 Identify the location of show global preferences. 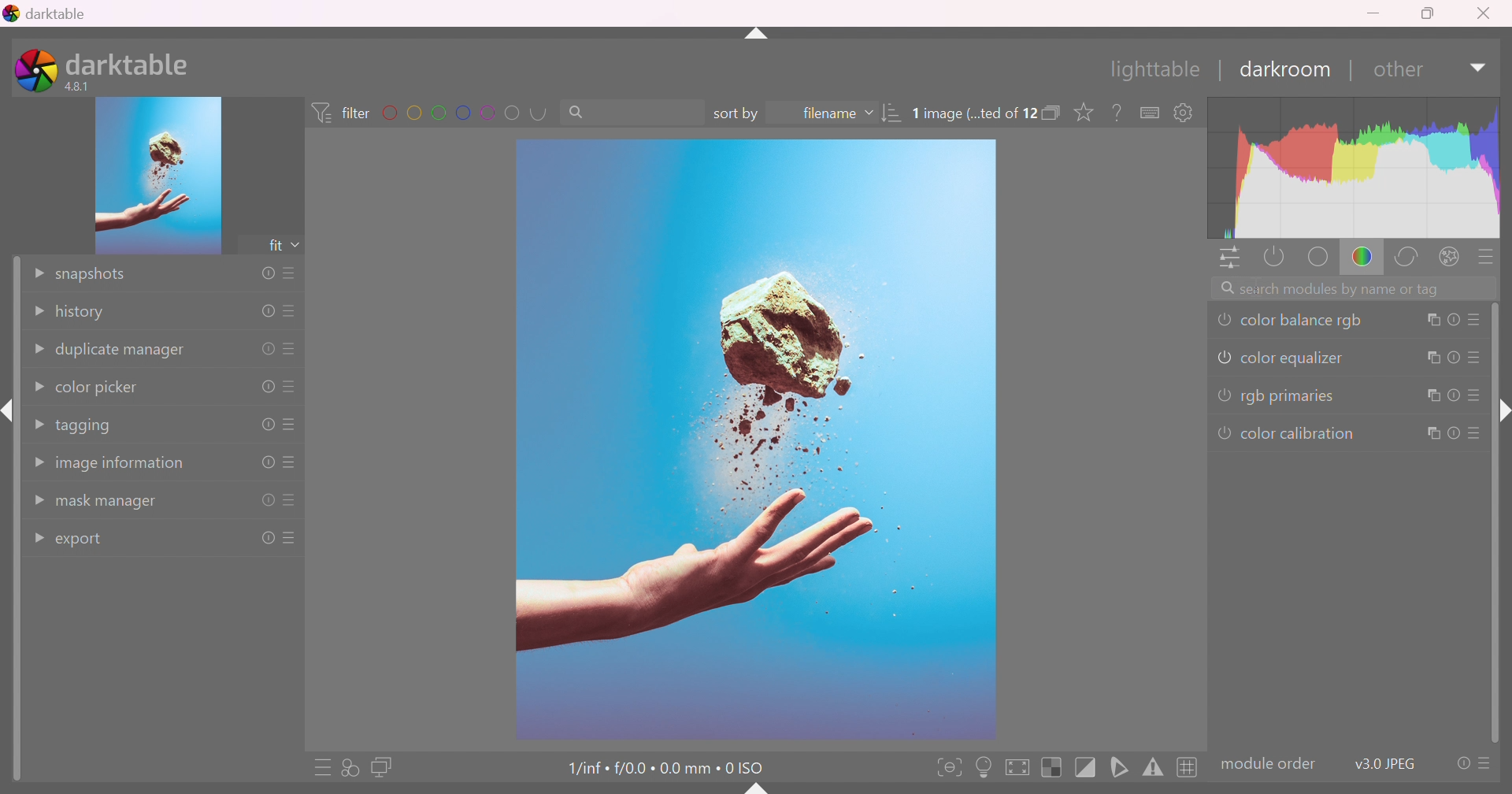
(1184, 114).